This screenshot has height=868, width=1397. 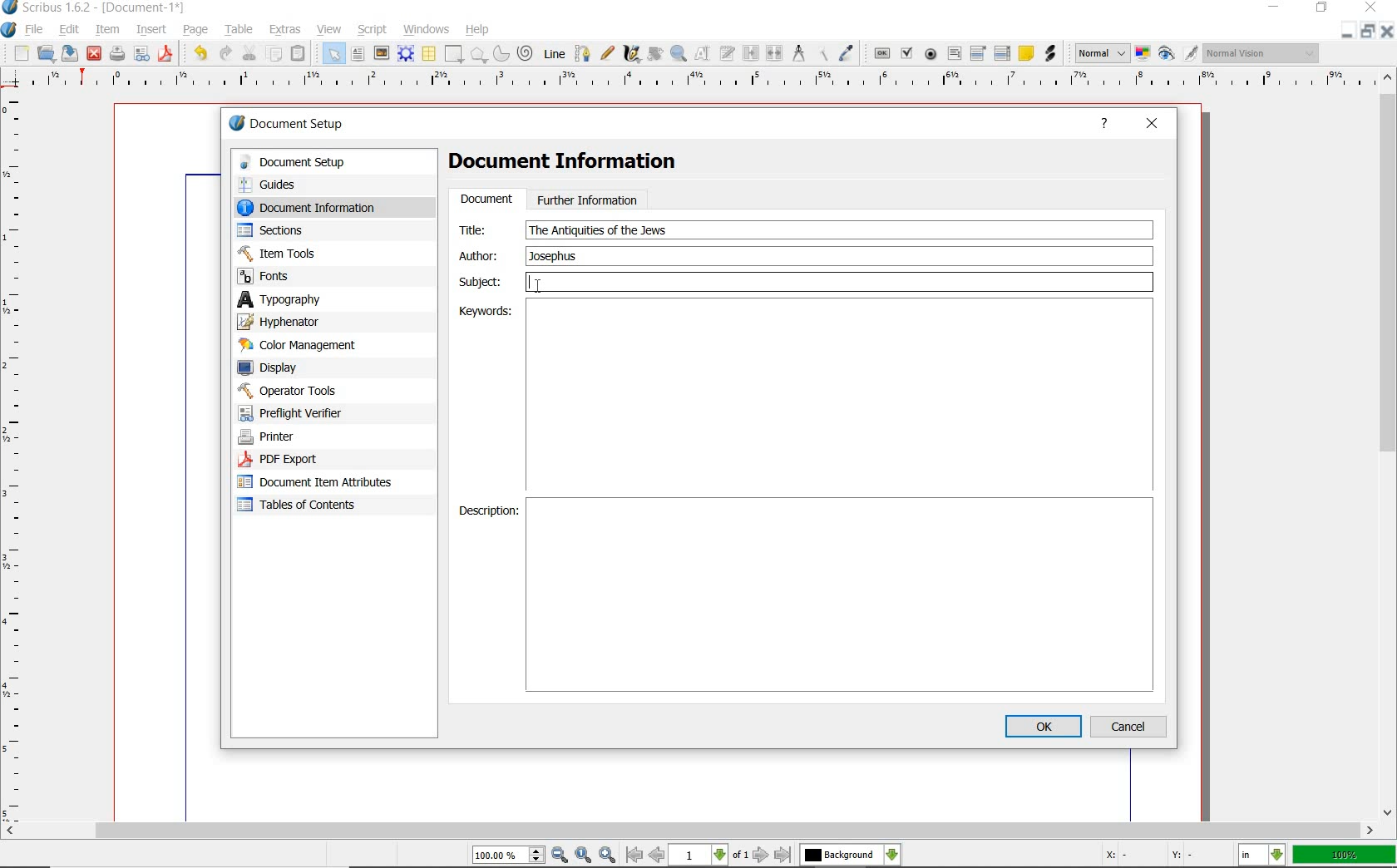 I want to click on document setup, so click(x=288, y=123).